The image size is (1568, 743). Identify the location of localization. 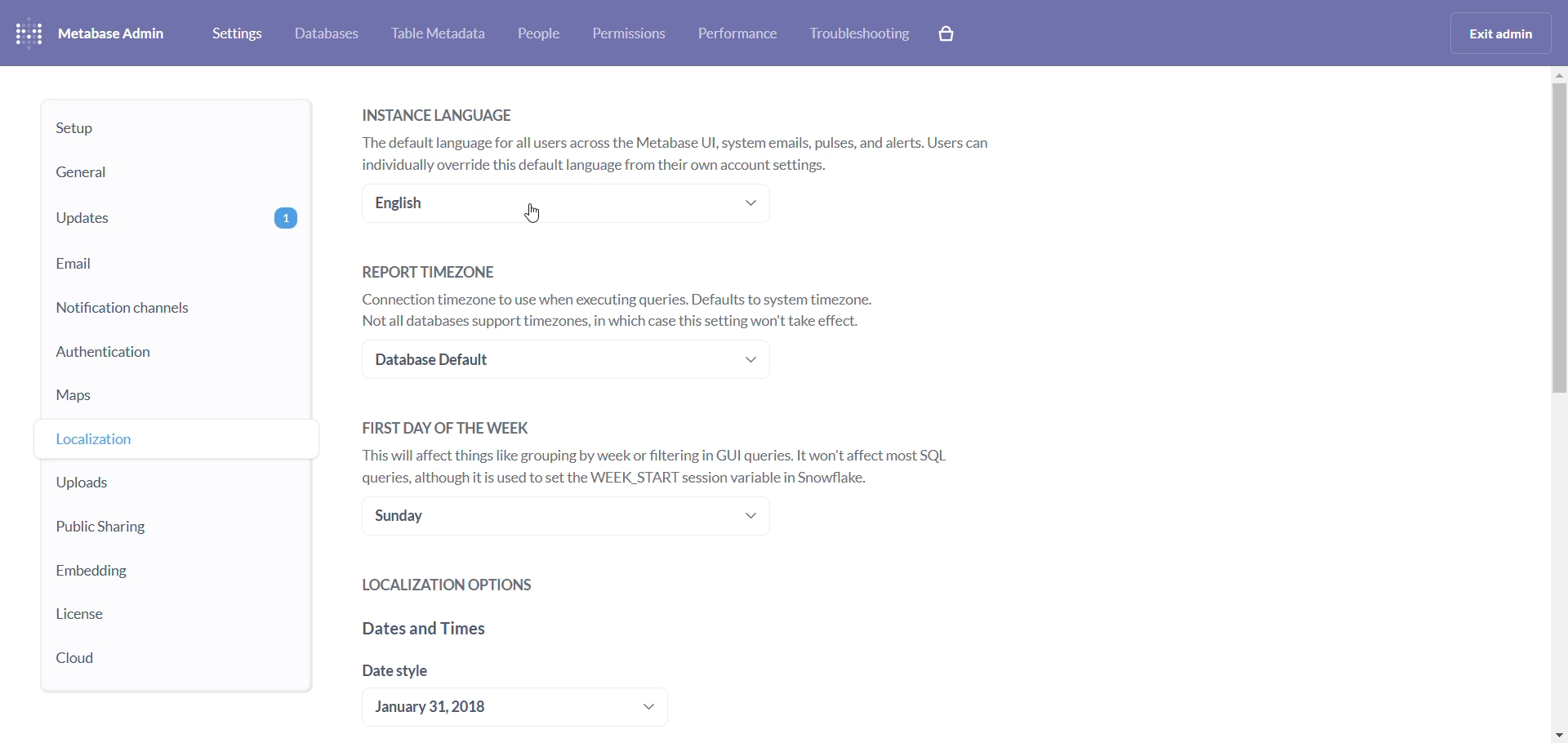
(168, 438).